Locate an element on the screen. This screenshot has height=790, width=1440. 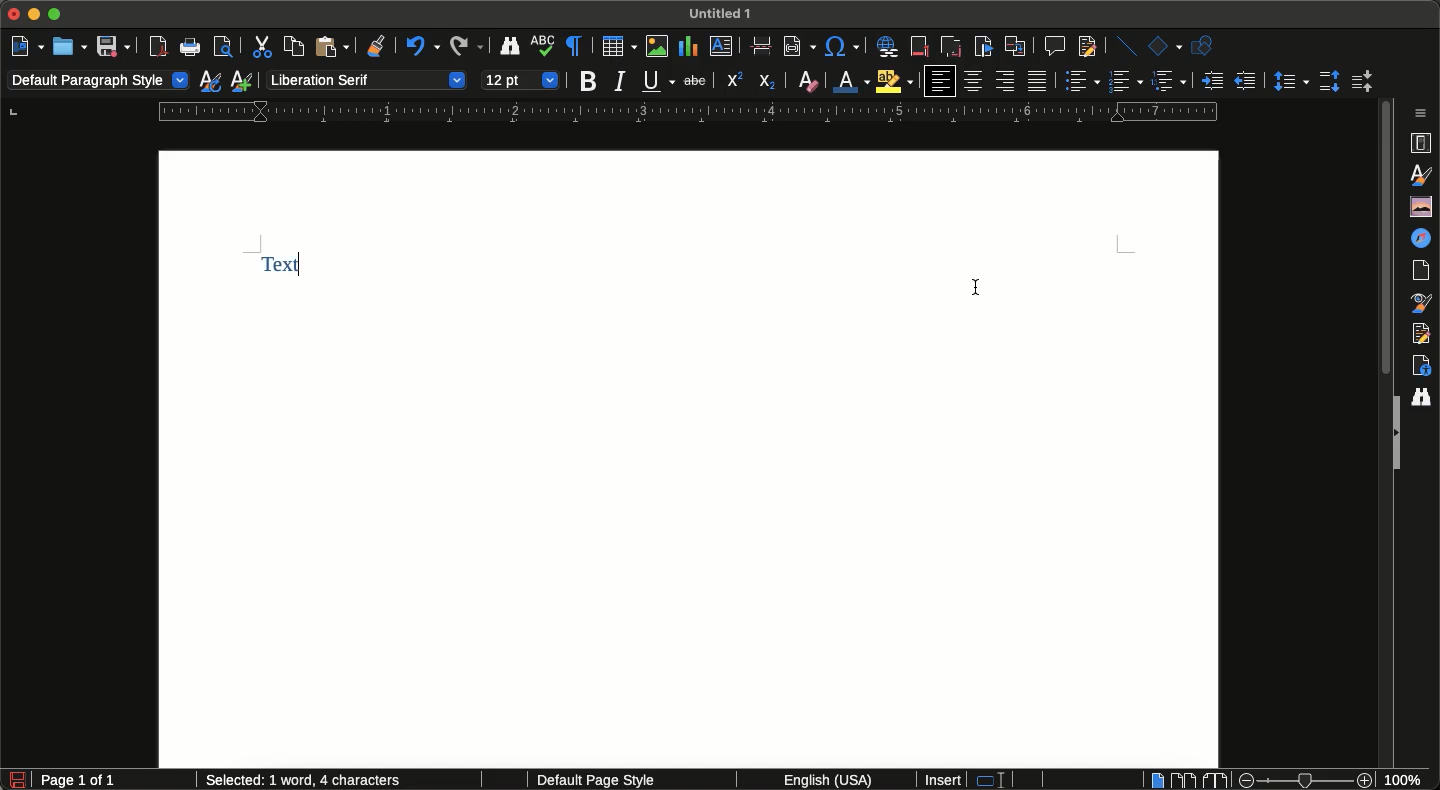
Show track changes functions is located at coordinates (1085, 47).